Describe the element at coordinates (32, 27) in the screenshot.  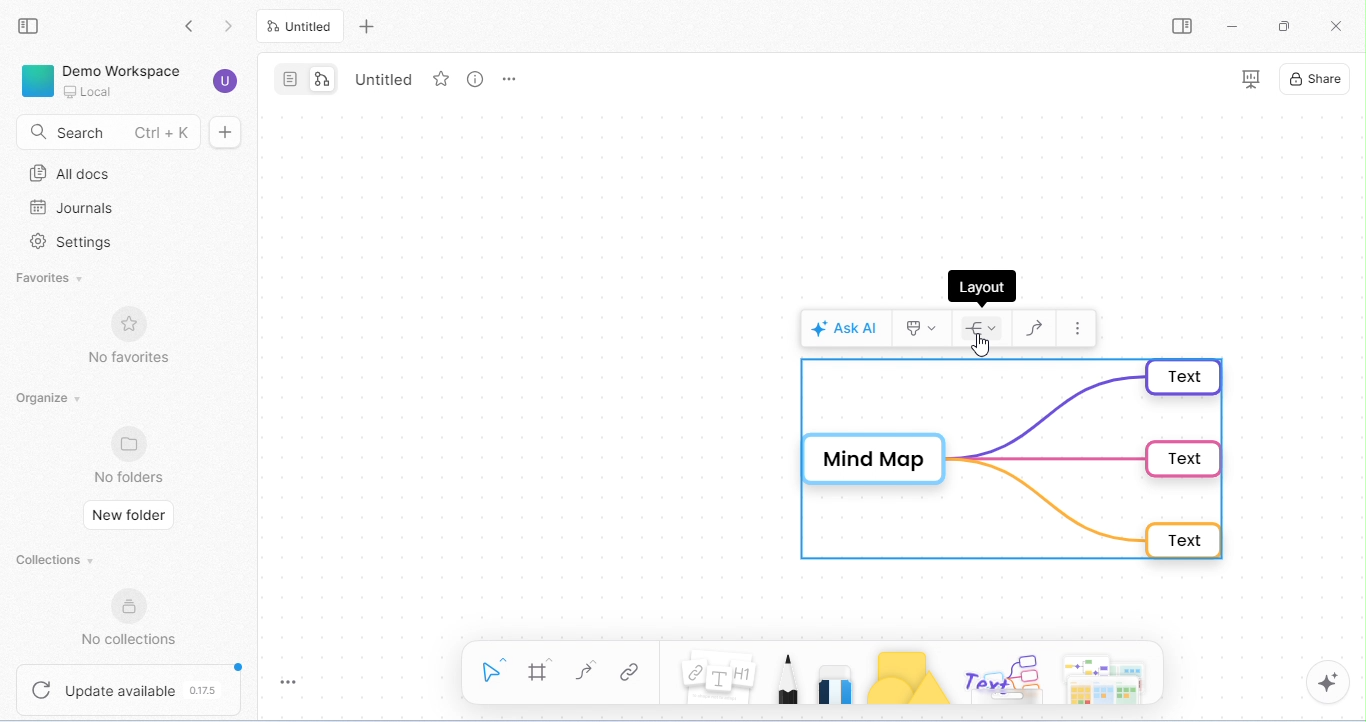
I see `collapse side bar` at that location.